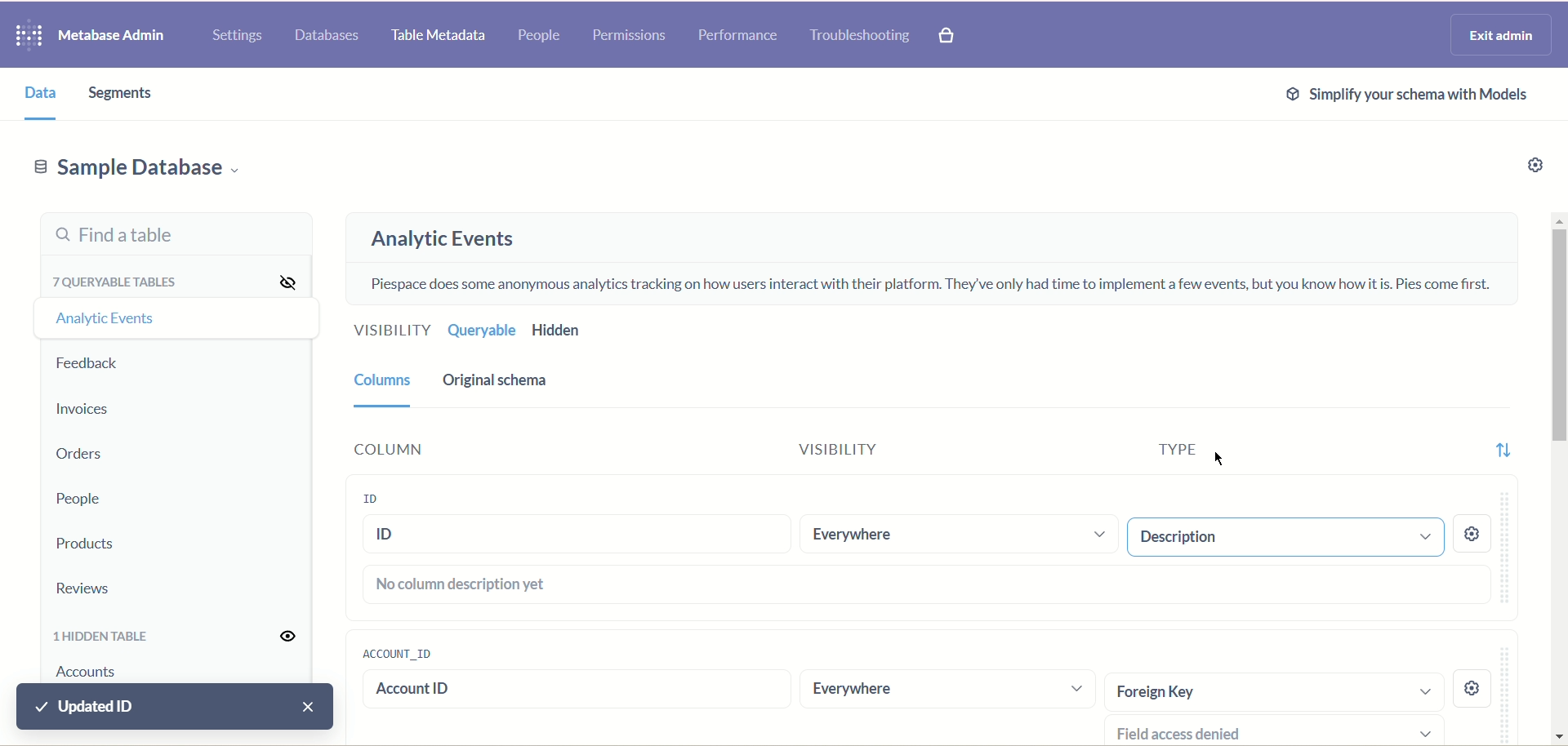  What do you see at coordinates (76, 500) in the screenshot?
I see `people` at bounding box center [76, 500].